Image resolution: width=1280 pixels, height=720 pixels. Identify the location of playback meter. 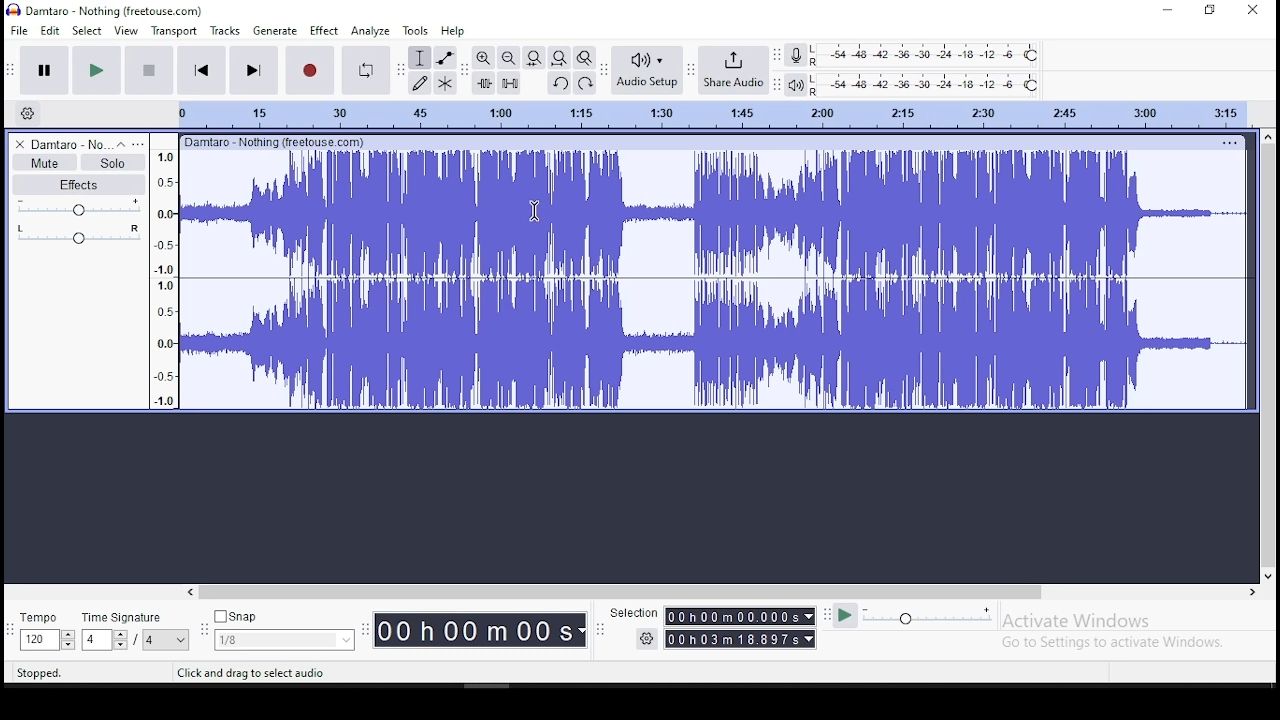
(794, 85).